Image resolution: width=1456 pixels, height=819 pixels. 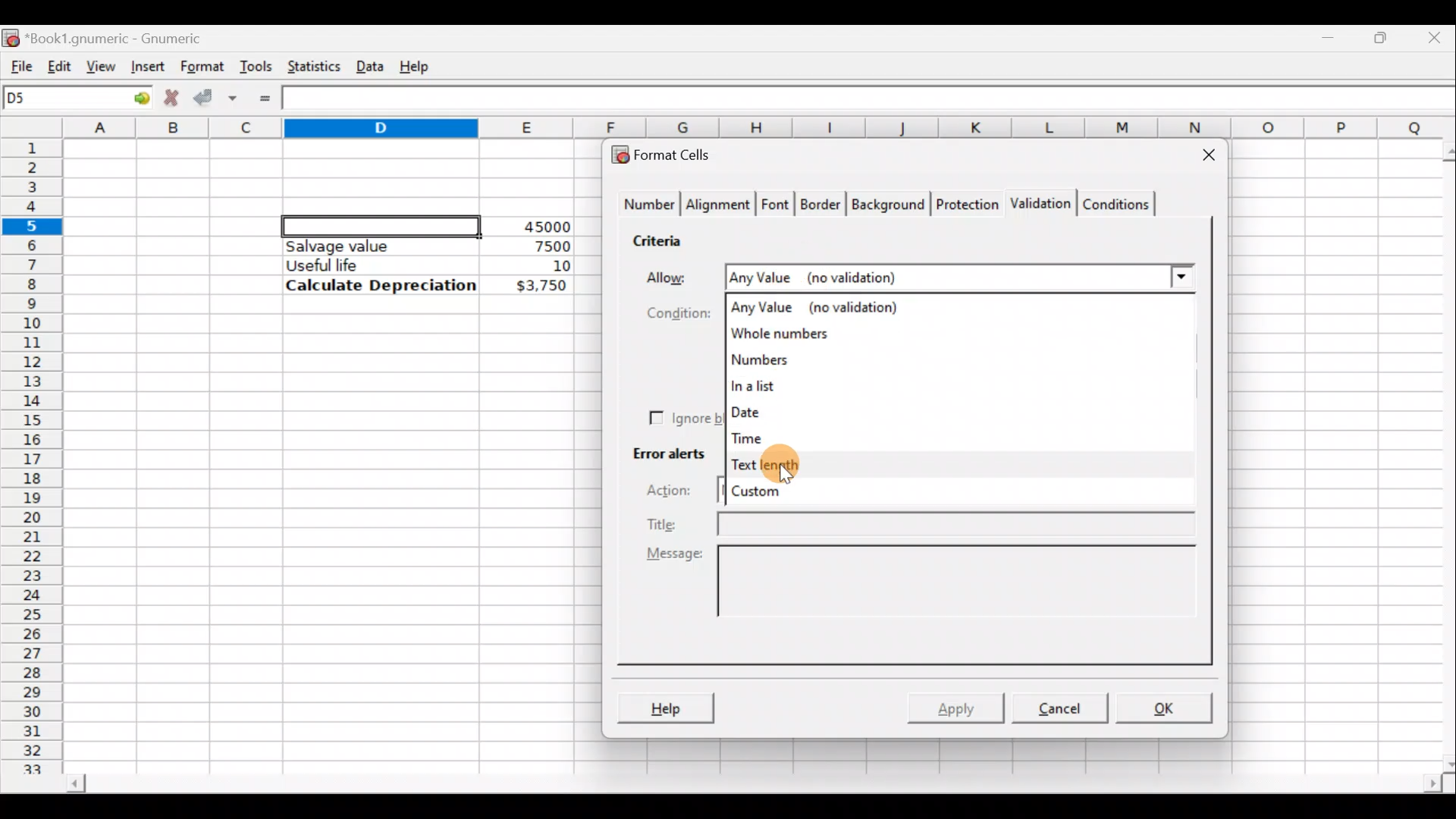 I want to click on Rows, so click(x=33, y=448).